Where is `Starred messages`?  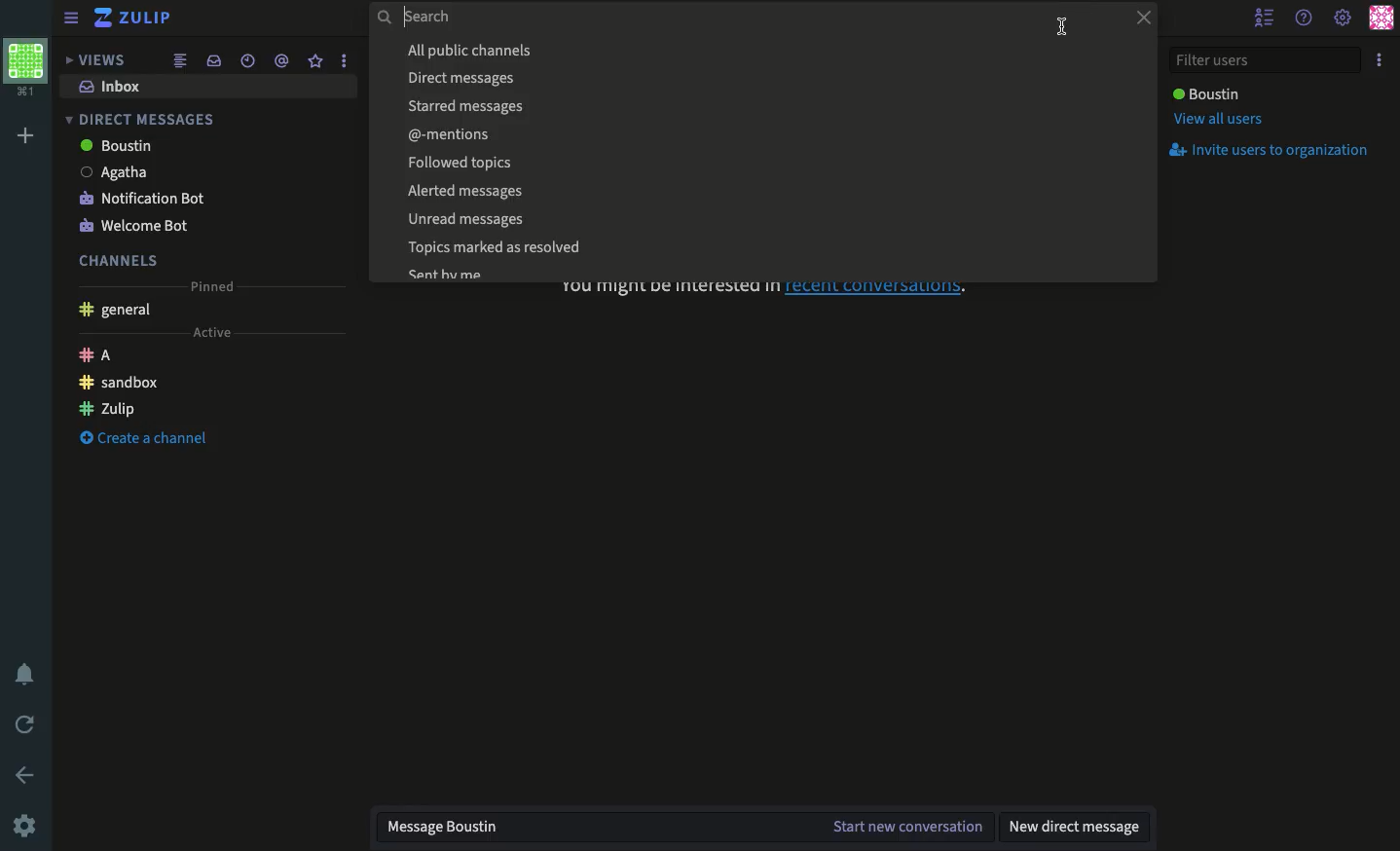 Starred messages is located at coordinates (766, 106).